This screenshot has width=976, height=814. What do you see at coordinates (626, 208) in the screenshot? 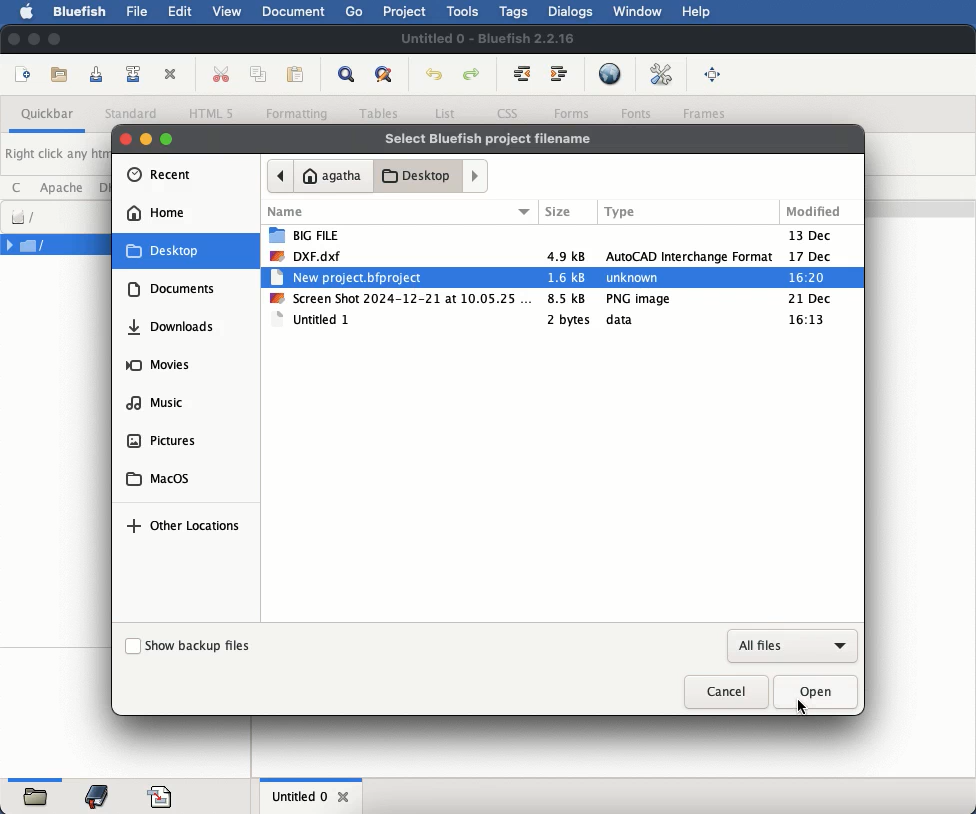
I see `Type` at bounding box center [626, 208].